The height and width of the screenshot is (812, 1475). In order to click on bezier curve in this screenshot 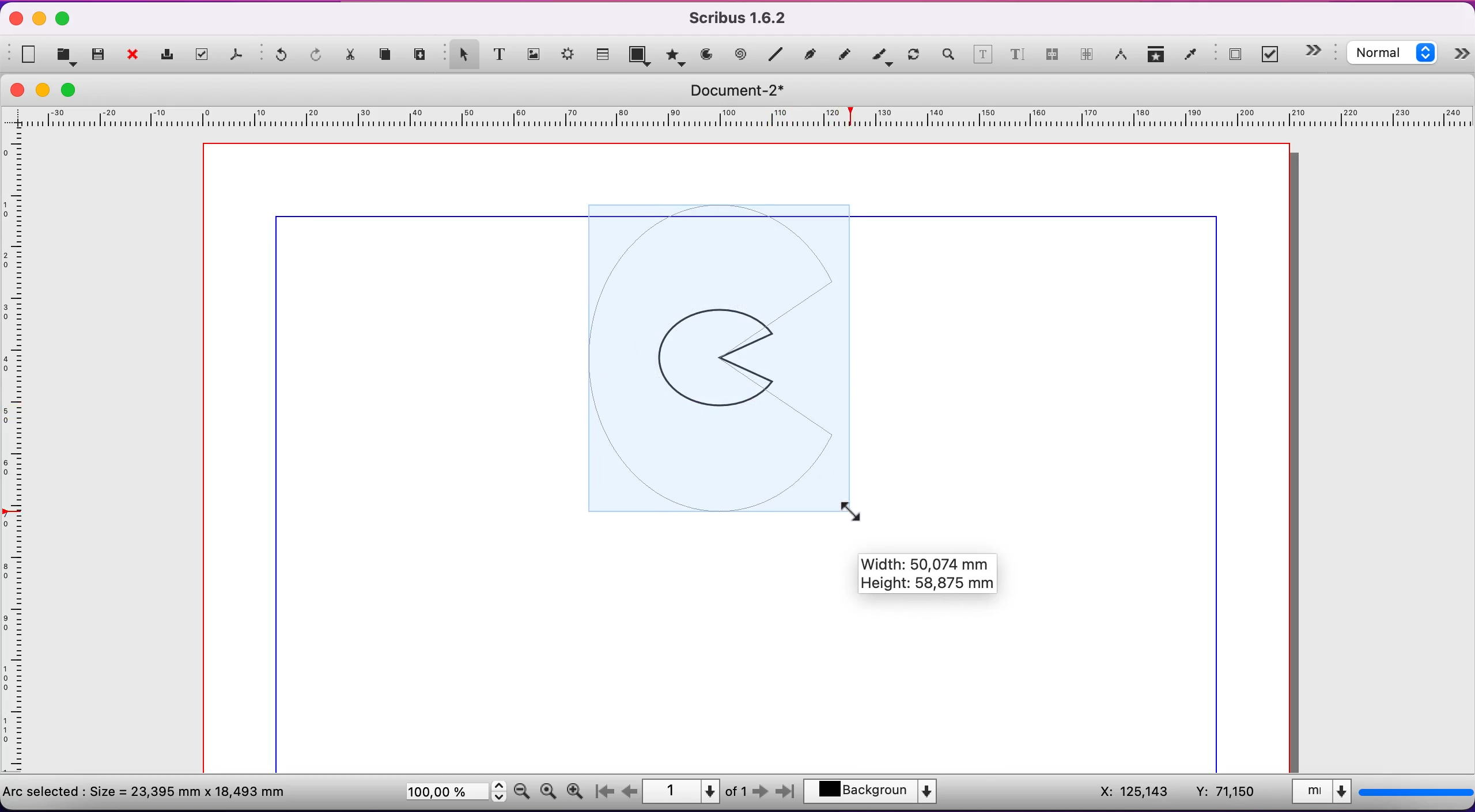, I will do `click(812, 54)`.